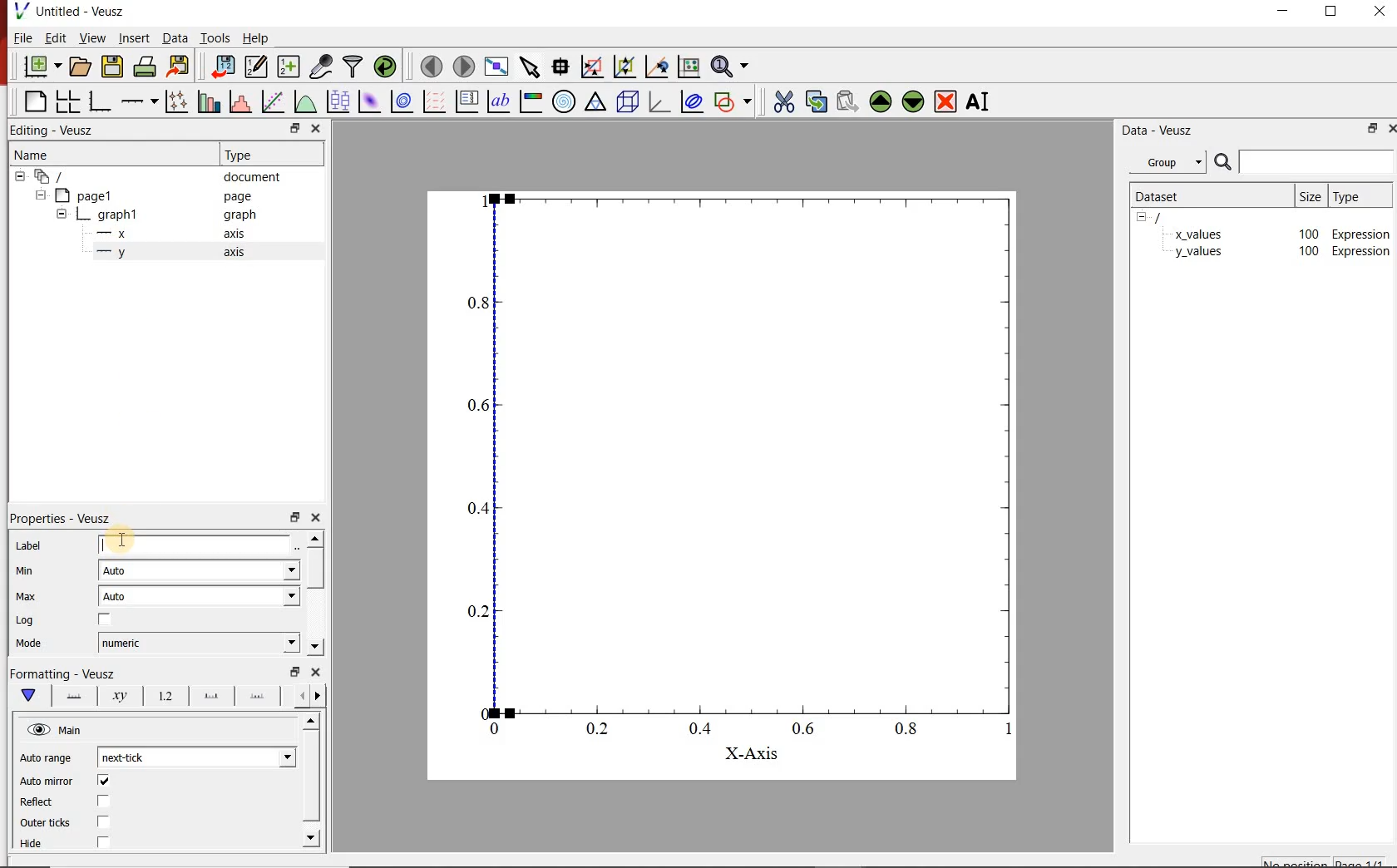 The width and height of the screenshot is (1397, 868). What do you see at coordinates (29, 546) in the screenshot?
I see `Label` at bounding box center [29, 546].